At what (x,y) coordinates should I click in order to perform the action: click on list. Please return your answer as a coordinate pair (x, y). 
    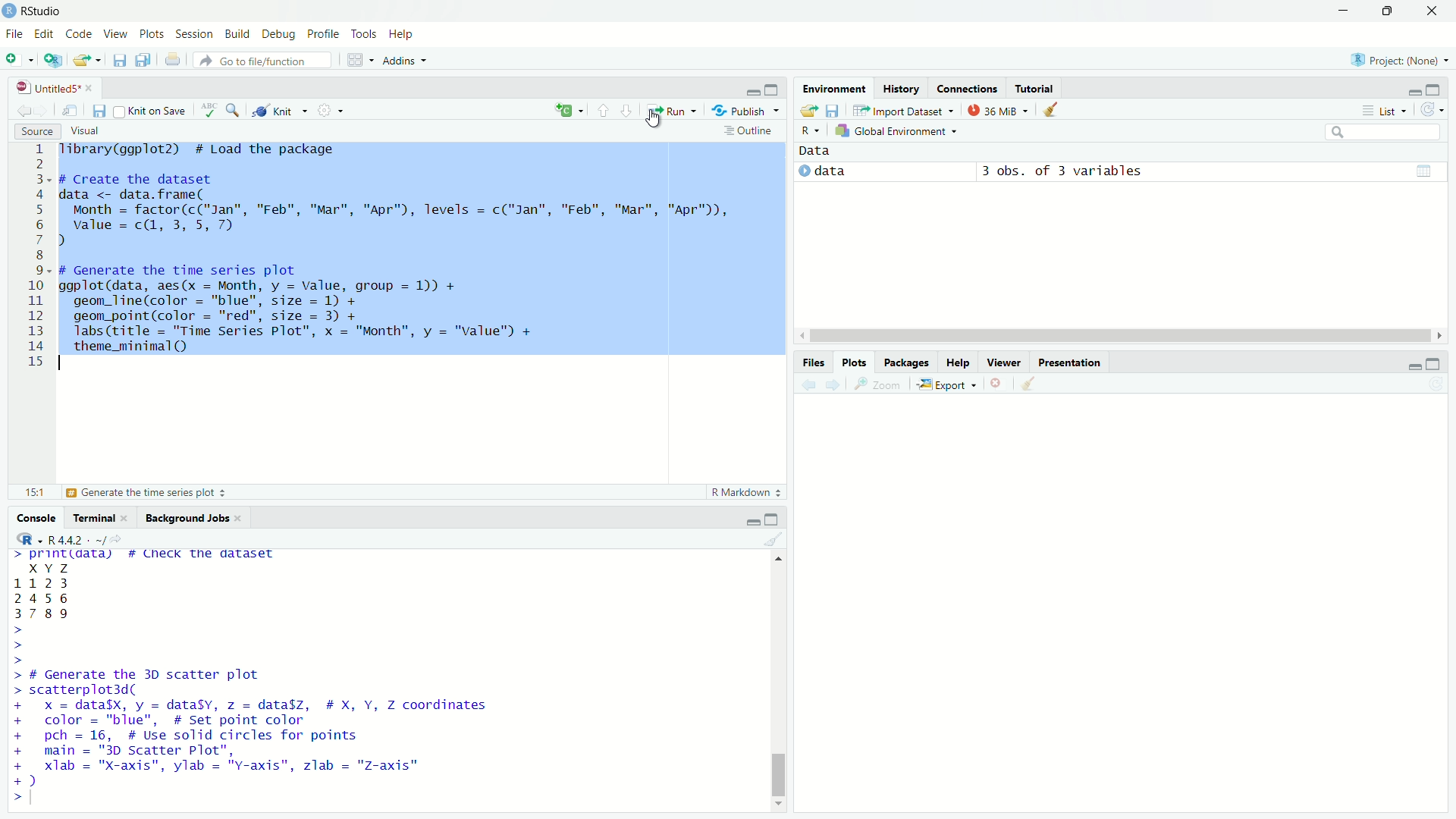
    Looking at the image, I should click on (1380, 110).